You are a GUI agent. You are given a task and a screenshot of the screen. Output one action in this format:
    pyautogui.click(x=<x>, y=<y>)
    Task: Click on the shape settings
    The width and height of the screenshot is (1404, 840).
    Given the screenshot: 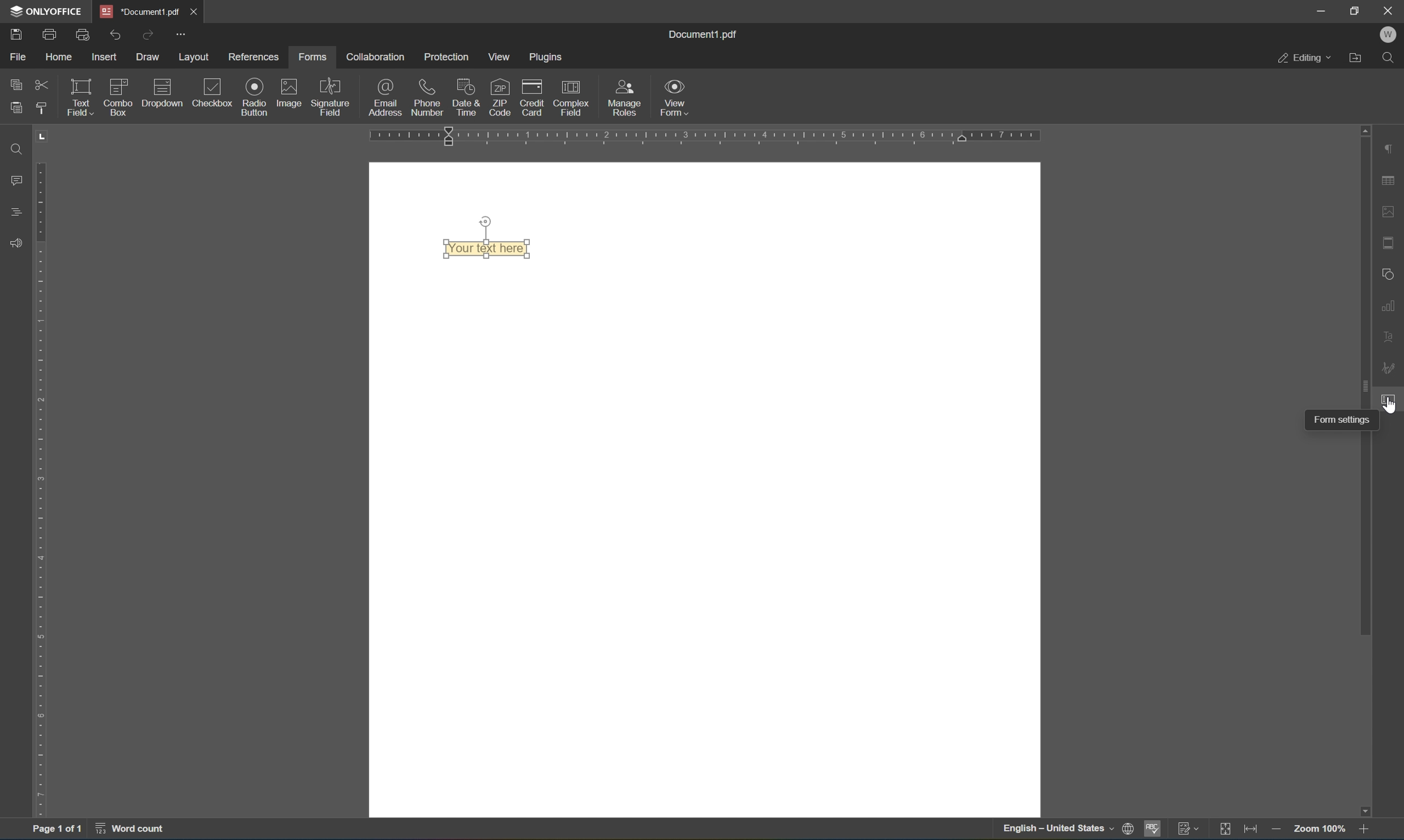 What is the action you would take?
    pyautogui.click(x=1388, y=273)
    